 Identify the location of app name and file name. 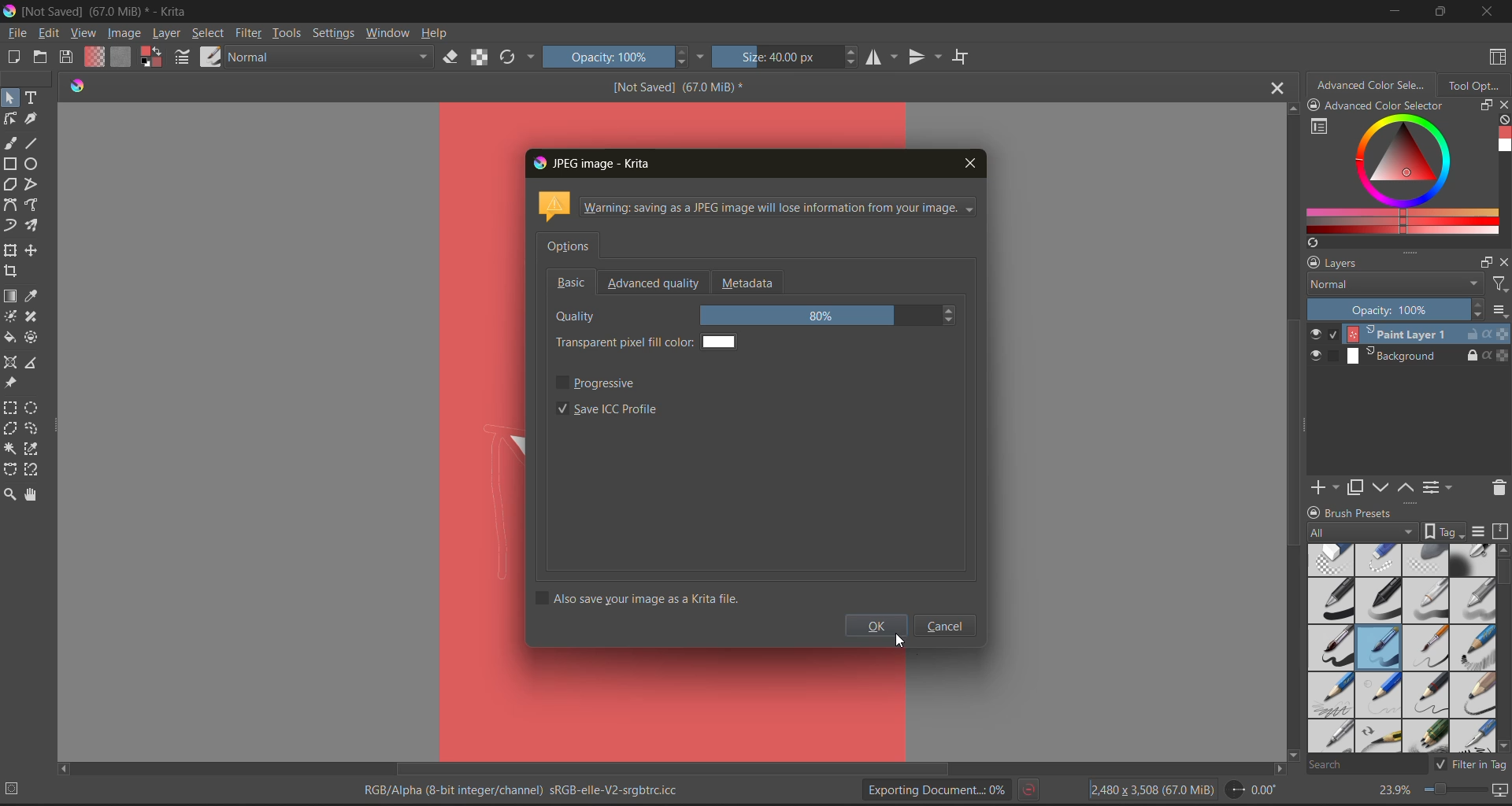
(109, 9).